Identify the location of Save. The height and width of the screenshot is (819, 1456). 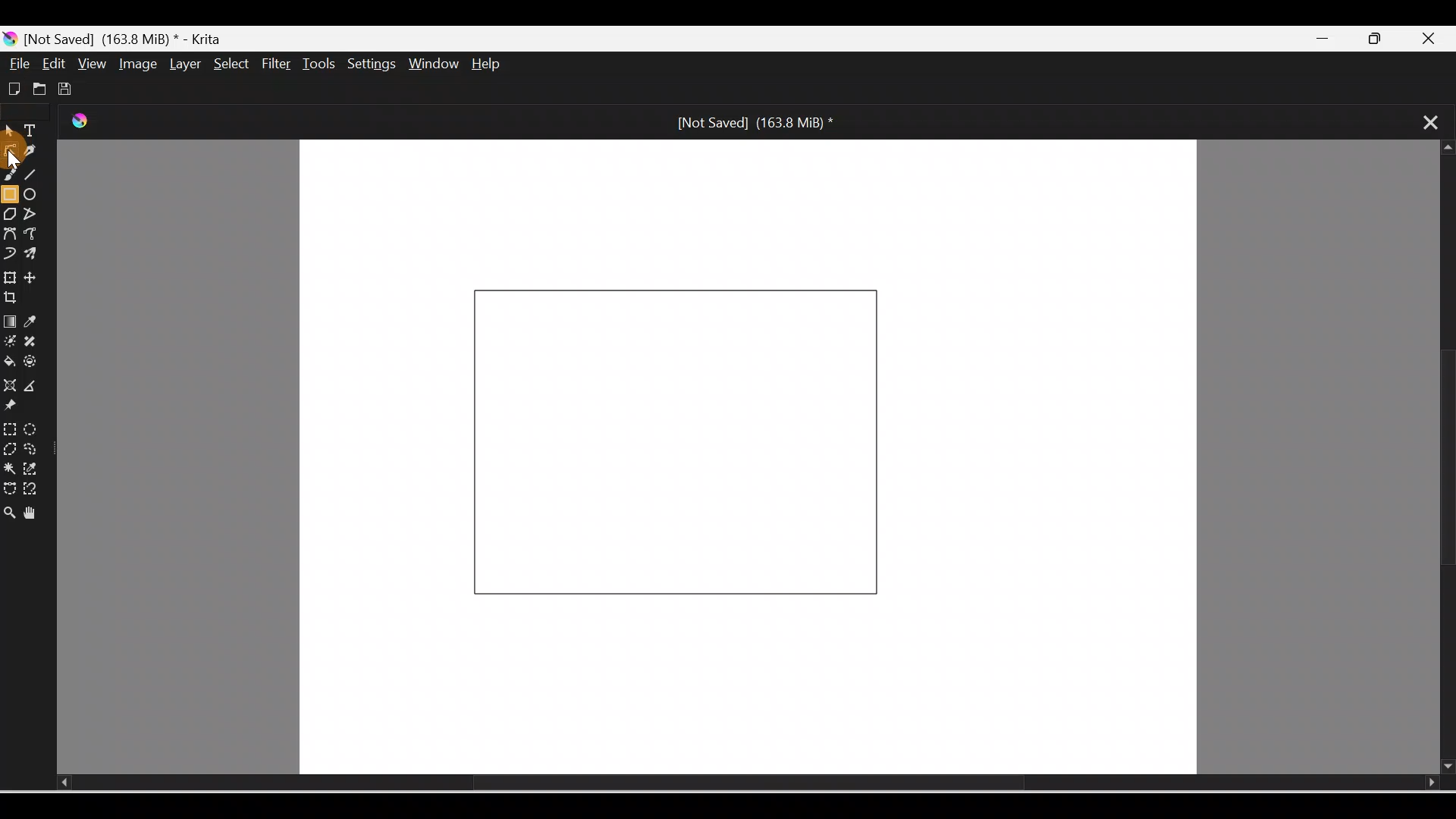
(68, 86).